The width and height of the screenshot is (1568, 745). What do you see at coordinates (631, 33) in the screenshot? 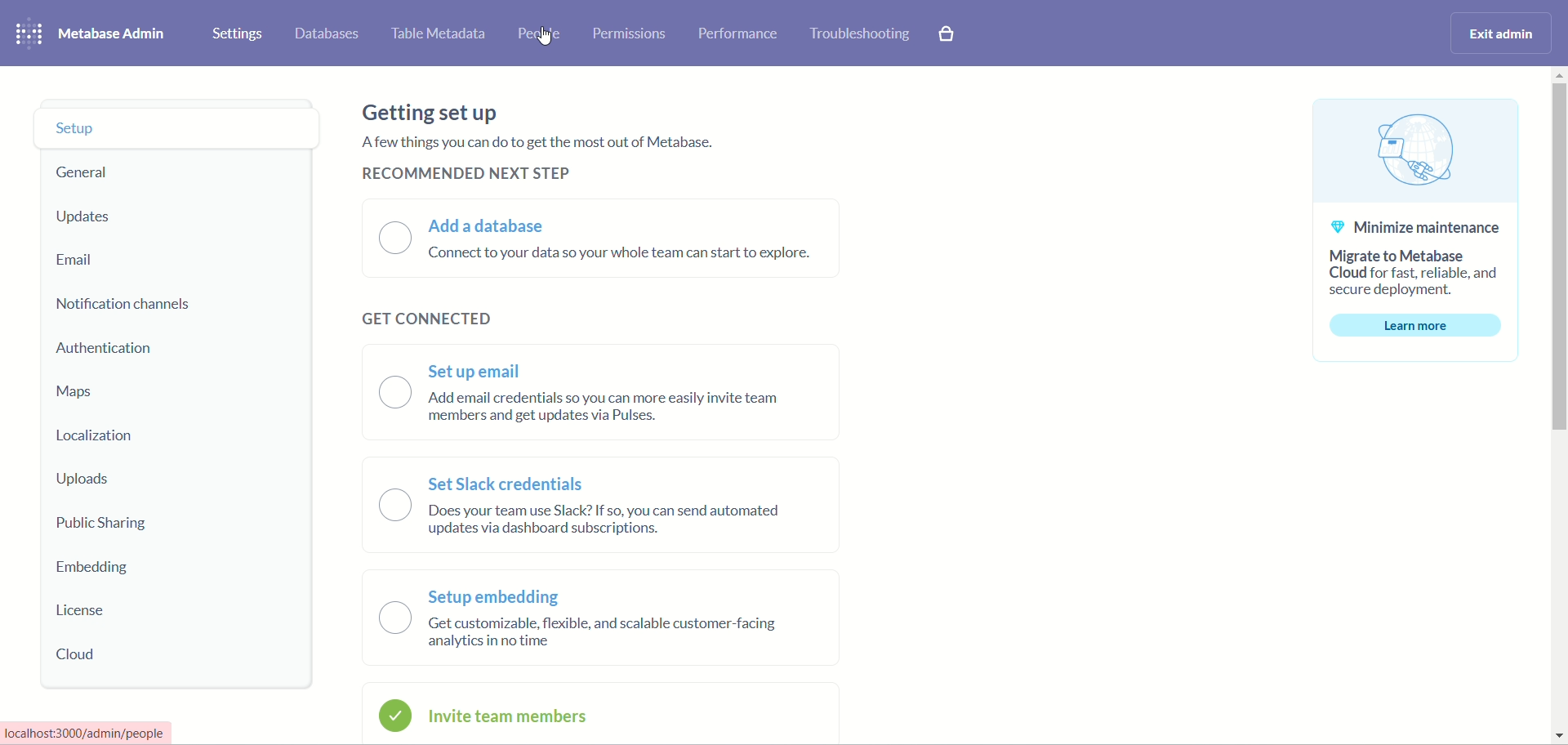
I see `permissions` at bounding box center [631, 33].